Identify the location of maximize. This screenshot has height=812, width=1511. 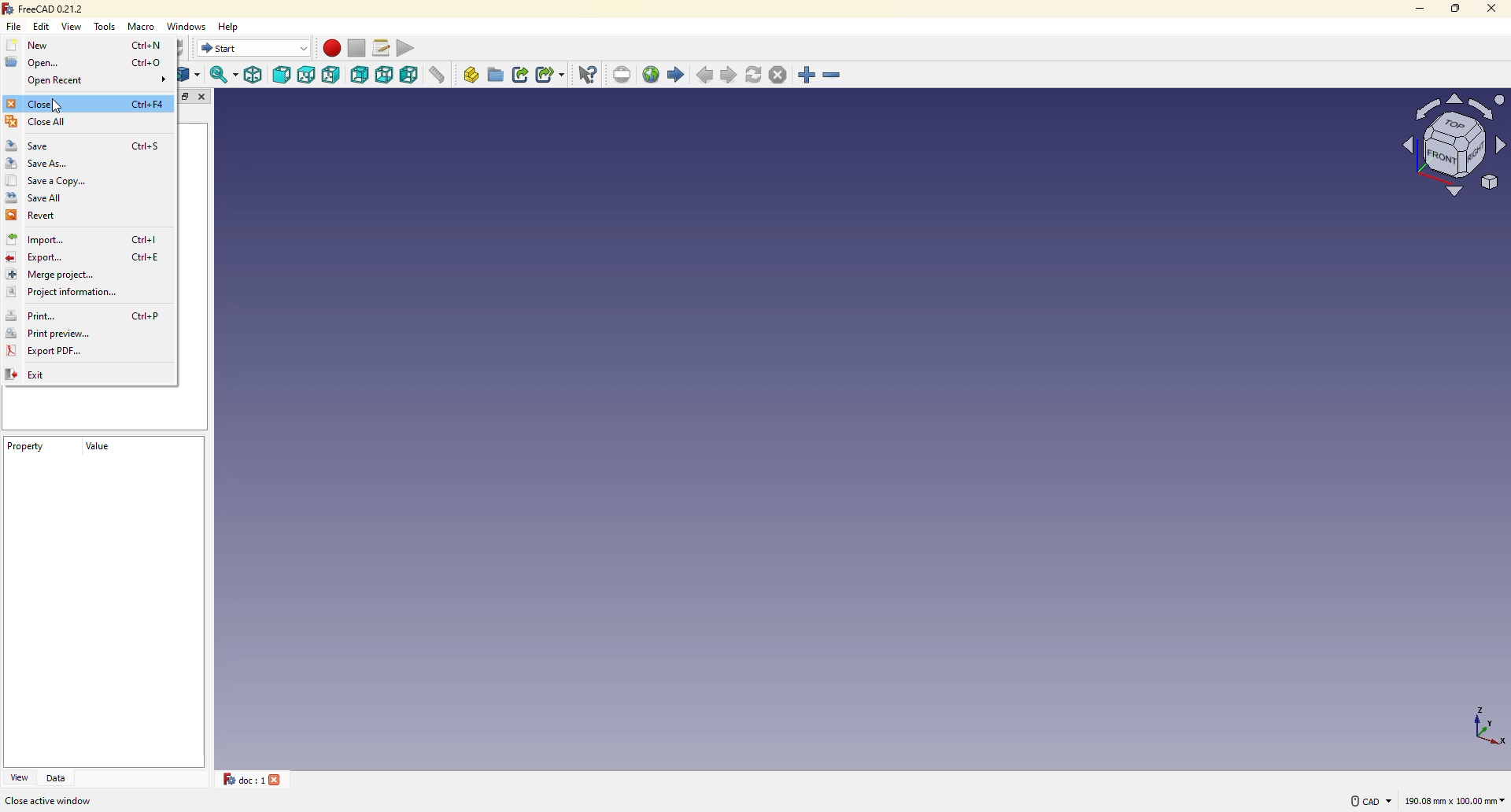
(1457, 9).